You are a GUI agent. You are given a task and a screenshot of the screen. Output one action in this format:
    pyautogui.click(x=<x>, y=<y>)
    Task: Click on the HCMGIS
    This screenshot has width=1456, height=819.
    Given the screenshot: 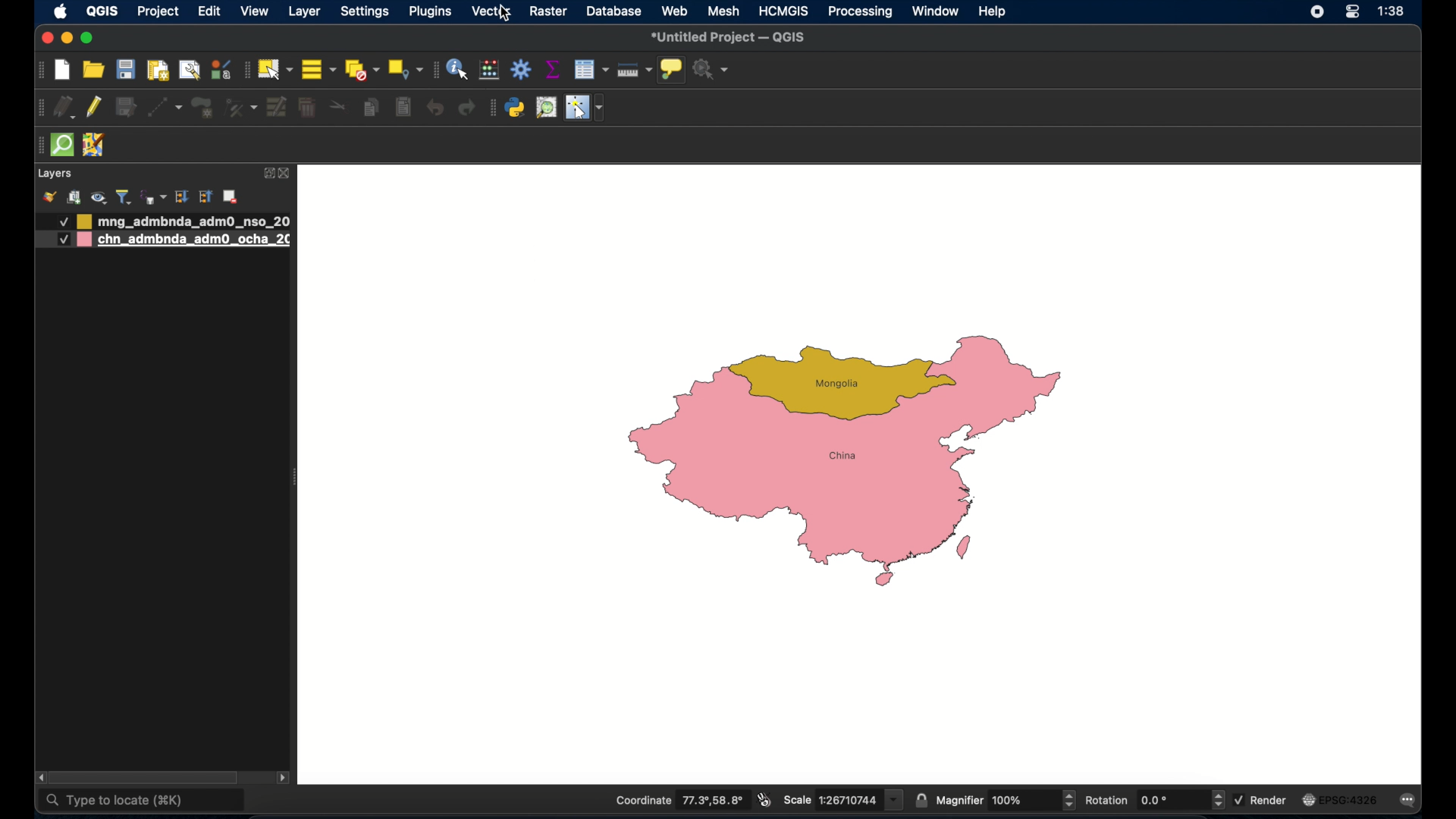 What is the action you would take?
    pyautogui.click(x=783, y=11)
    